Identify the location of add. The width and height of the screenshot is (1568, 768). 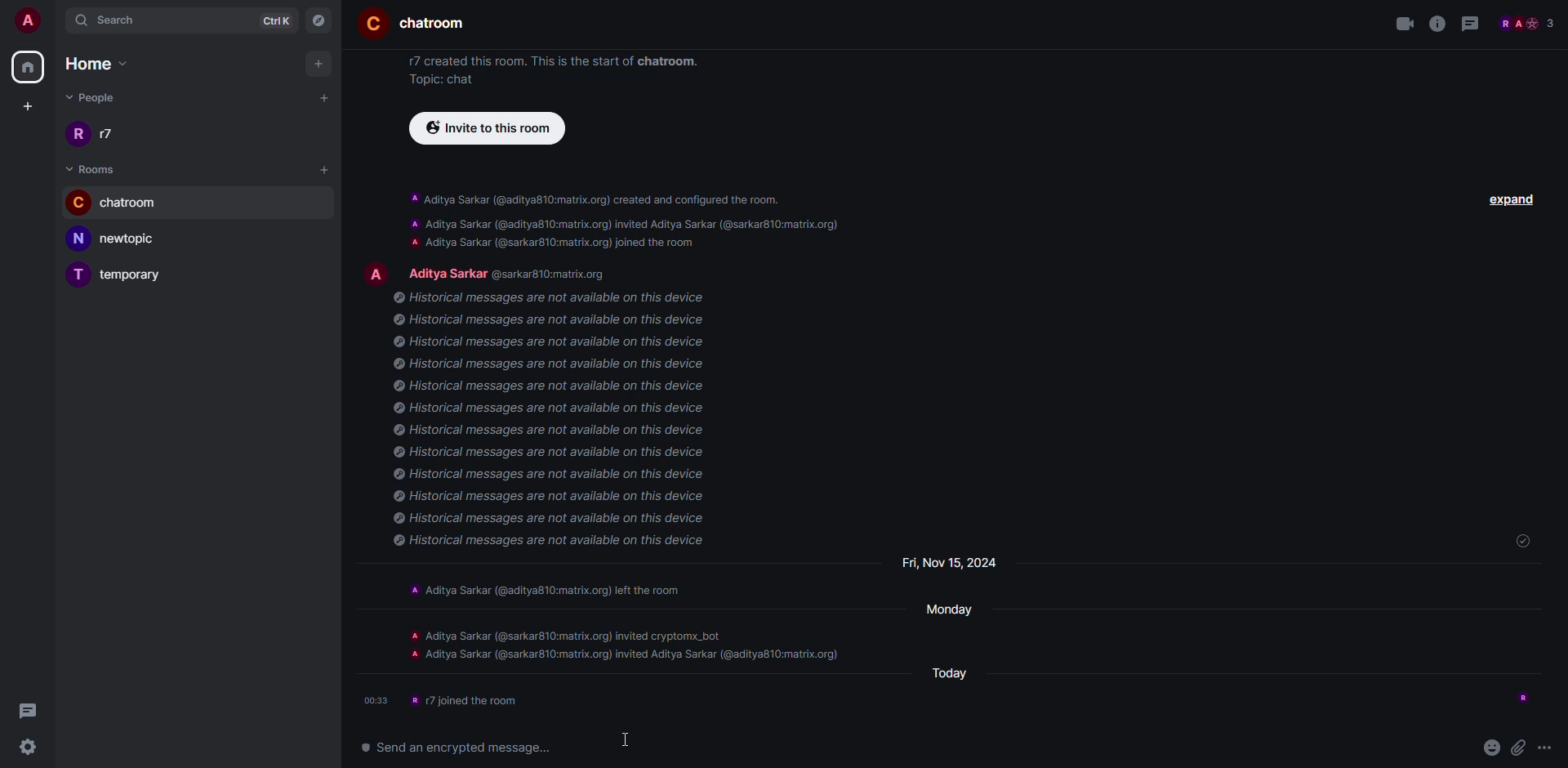
(327, 169).